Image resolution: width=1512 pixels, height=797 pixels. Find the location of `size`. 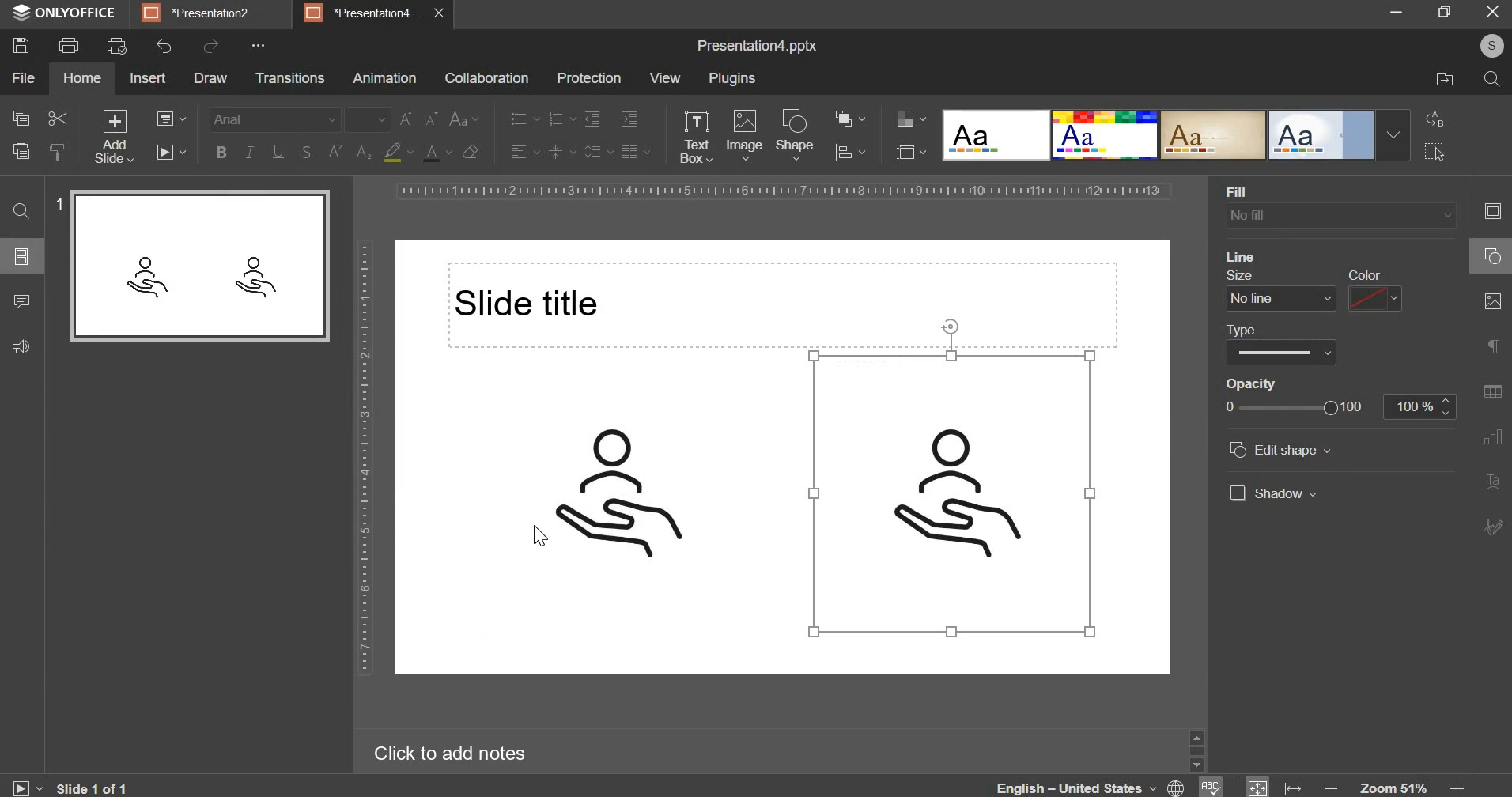

size is located at coordinates (1246, 275).